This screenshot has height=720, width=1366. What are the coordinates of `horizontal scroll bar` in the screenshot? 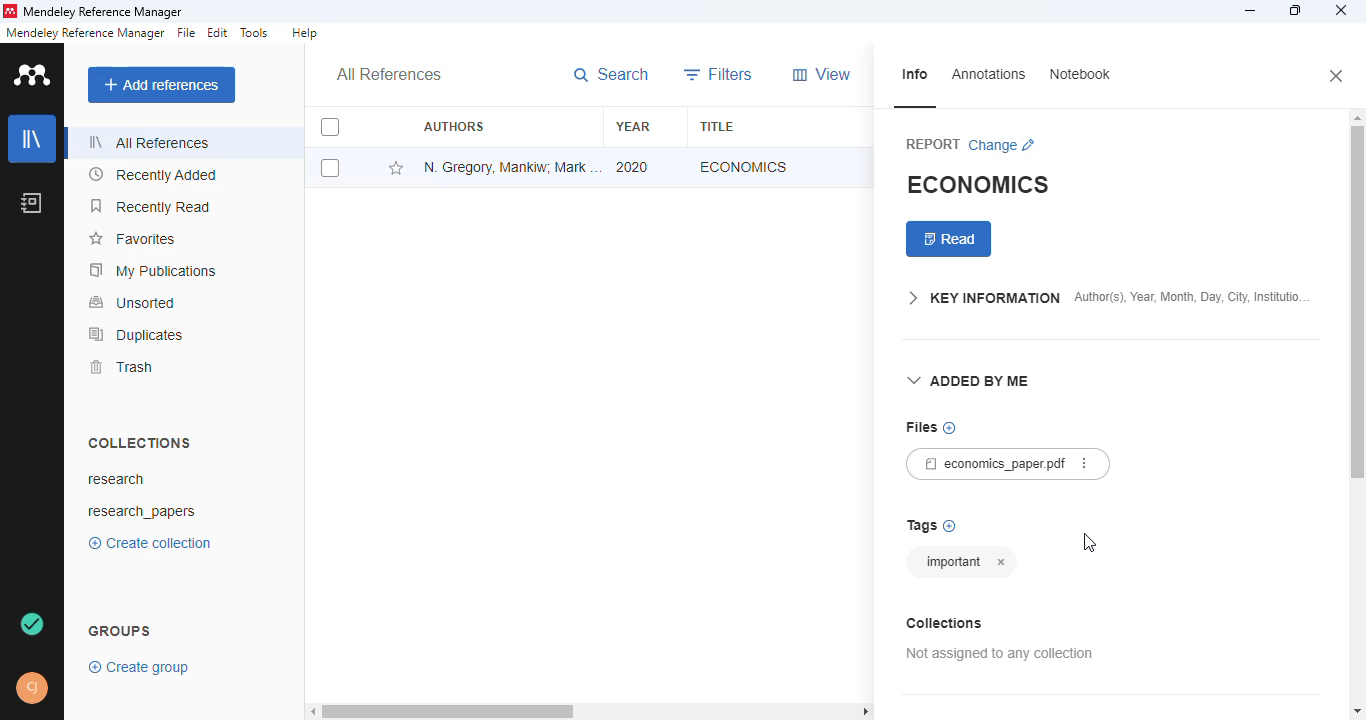 It's located at (593, 710).